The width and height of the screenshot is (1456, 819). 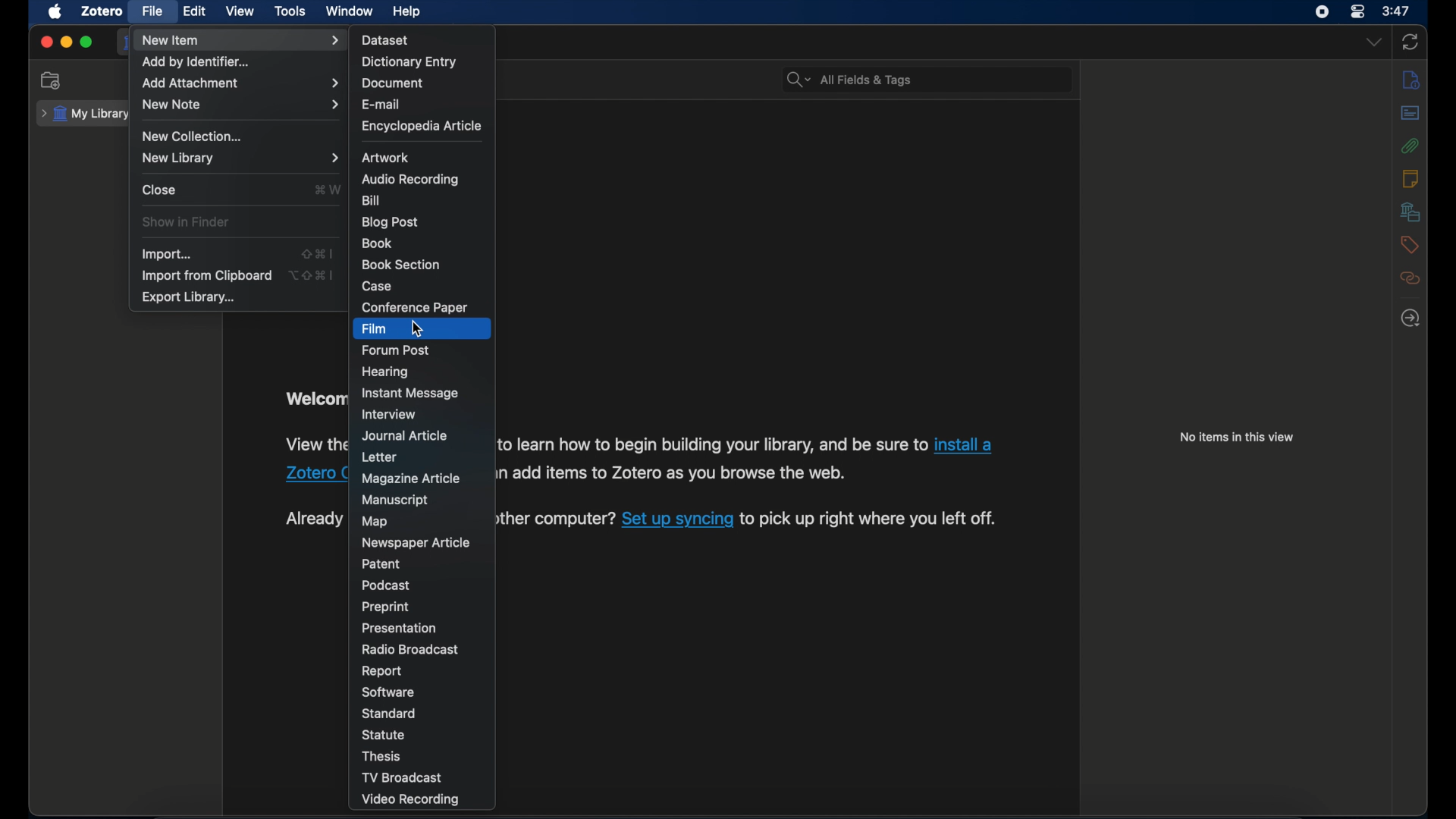 What do you see at coordinates (1414, 80) in the screenshot?
I see `info` at bounding box center [1414, 80].